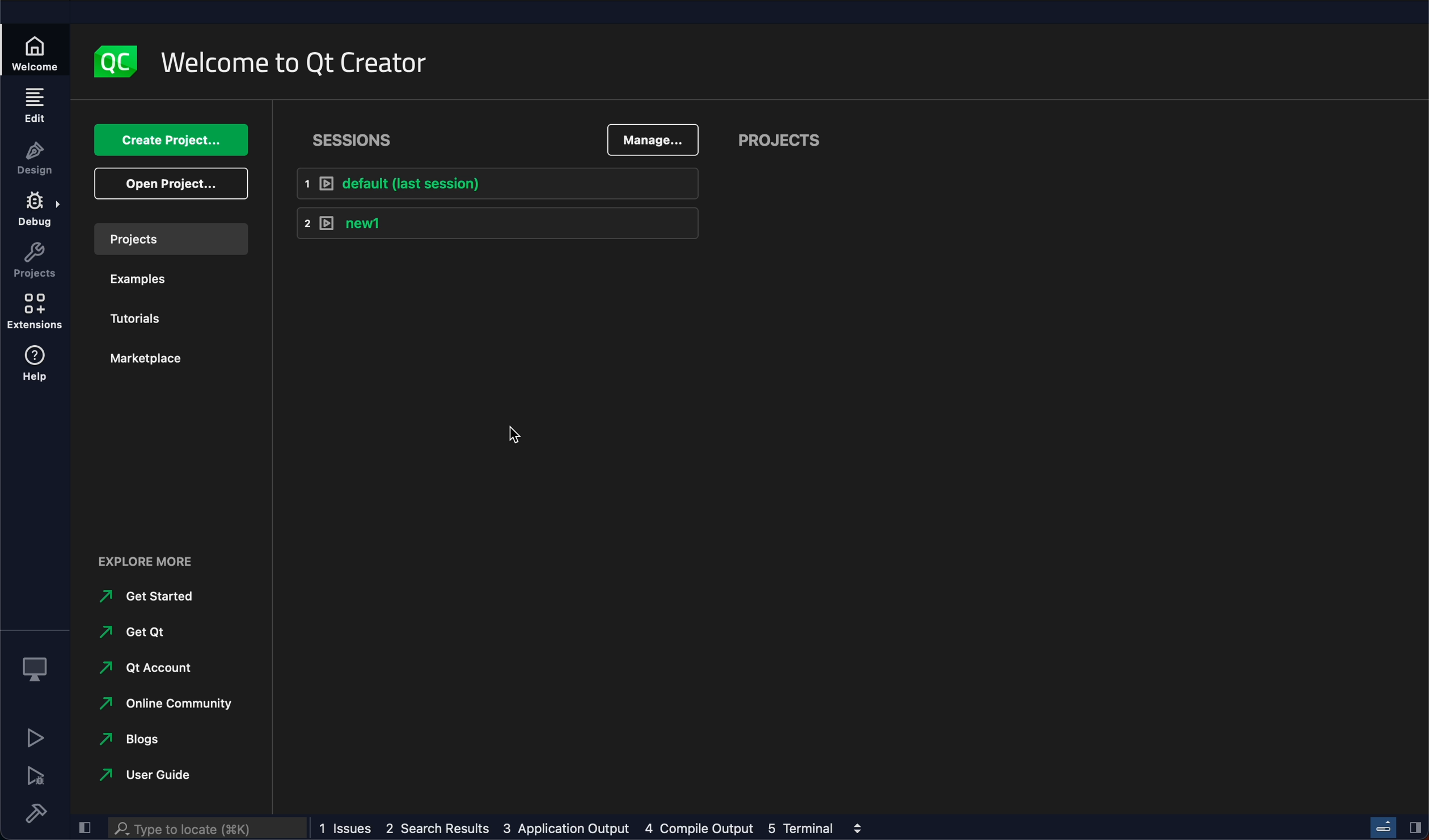  What do you see at coordinates (1383, 825) in the screenshot?
I see `progress bar` at bounding box center [1383, 825].